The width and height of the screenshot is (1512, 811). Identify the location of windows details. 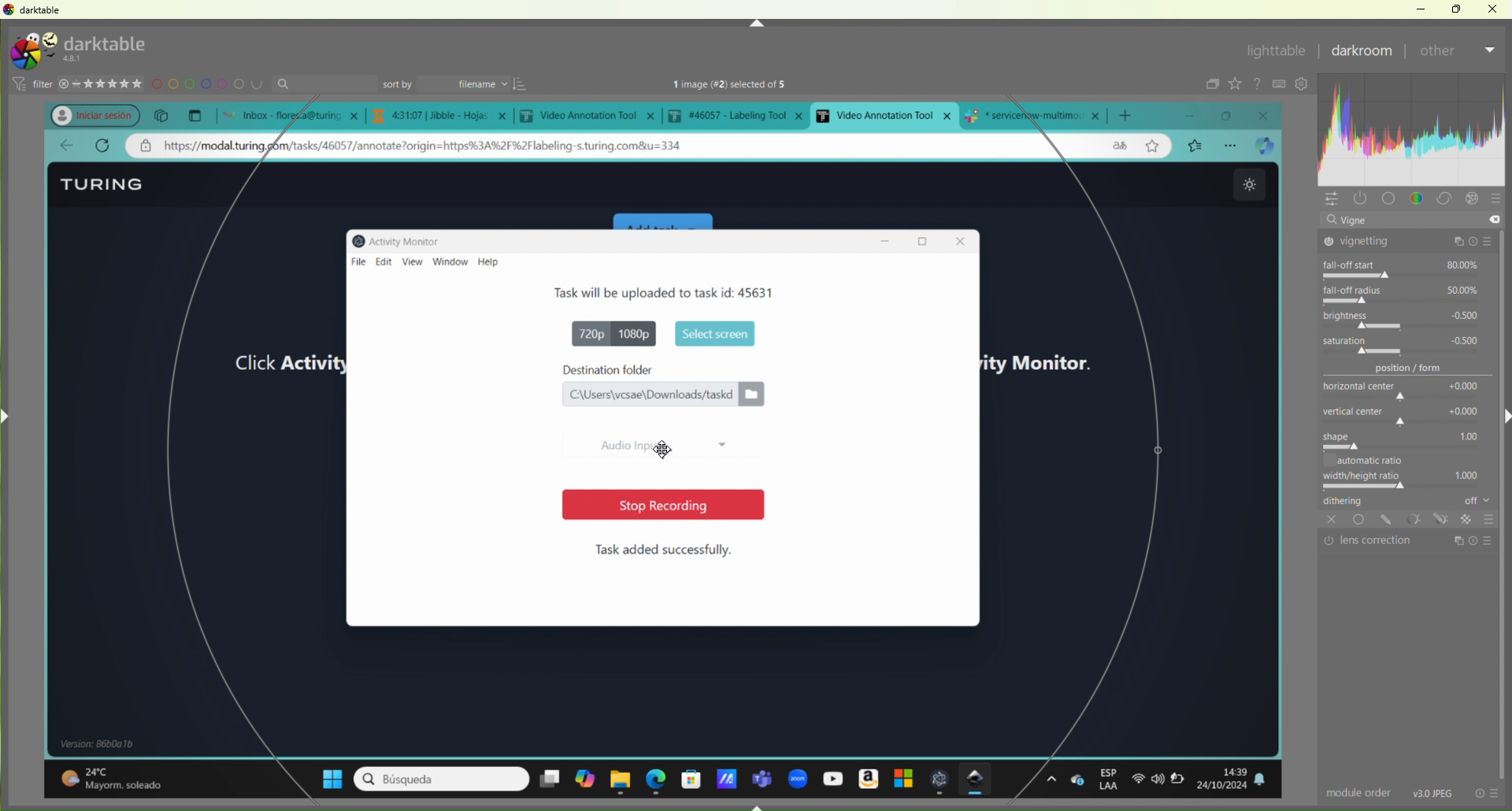
(105, 743).